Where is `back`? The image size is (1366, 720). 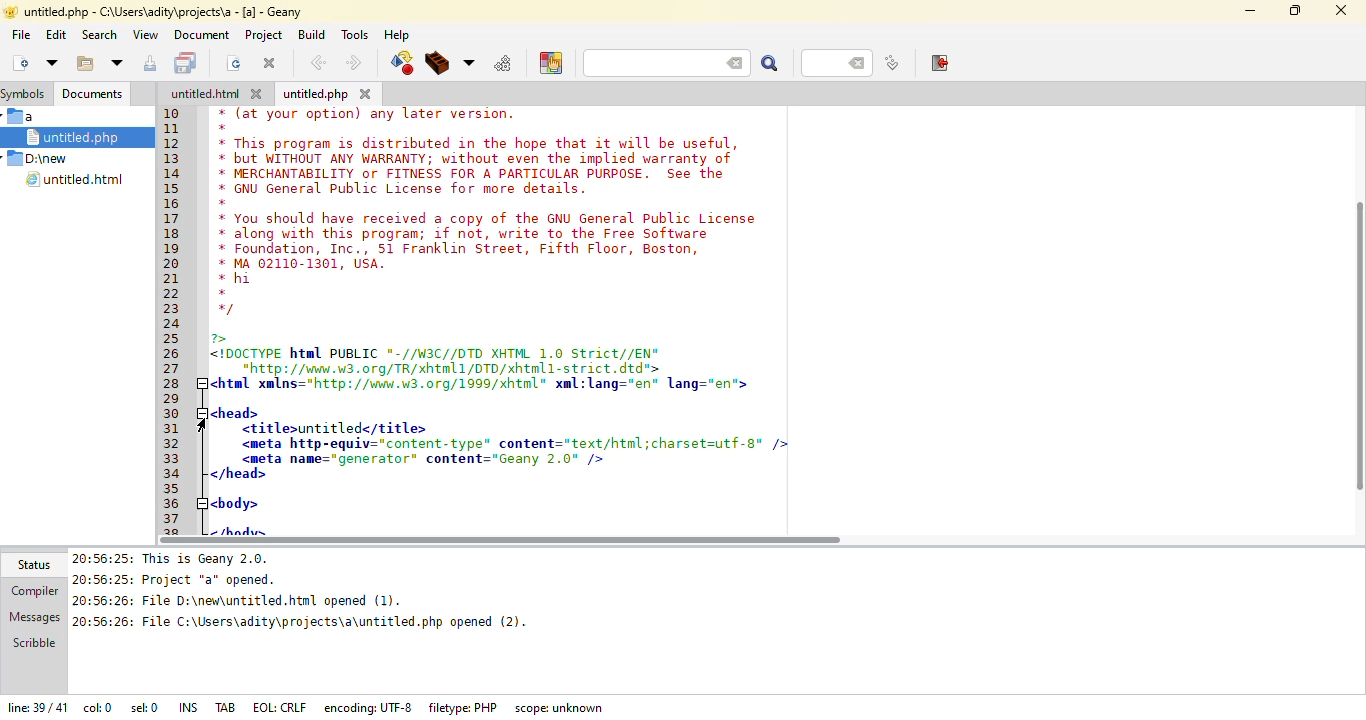 back is located at coordinates (319, 62).